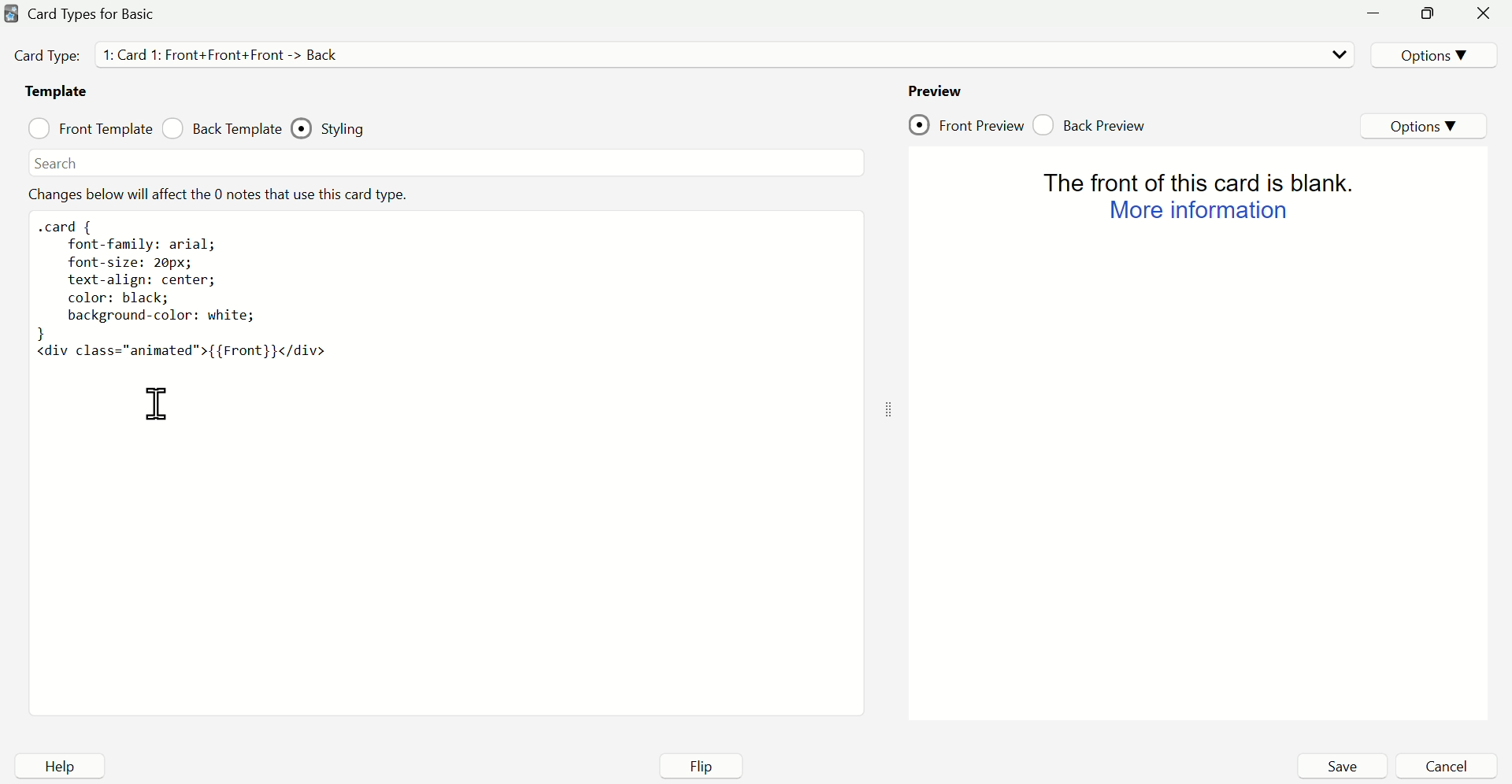 Image resolution: width=1512 pixels, height=784 pixels. I want to click on Flip, so click(774, 766).